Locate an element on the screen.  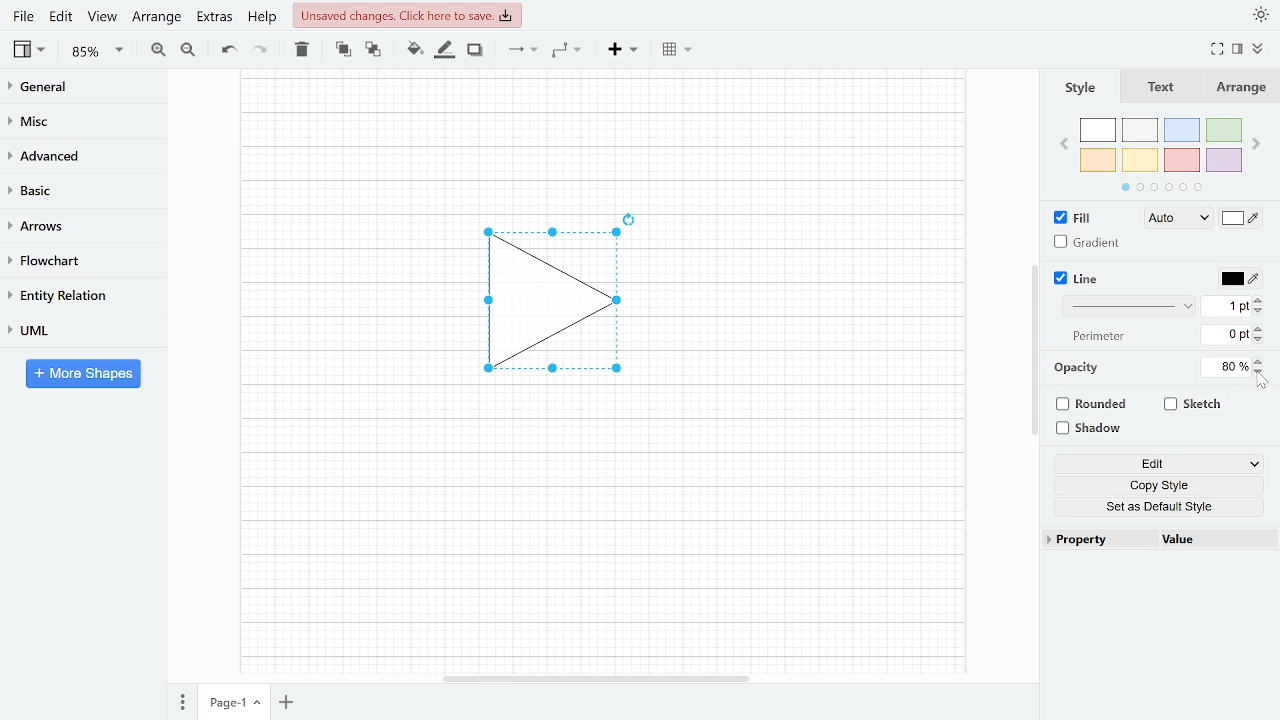
More shapes is located at coordinates (83, 373).